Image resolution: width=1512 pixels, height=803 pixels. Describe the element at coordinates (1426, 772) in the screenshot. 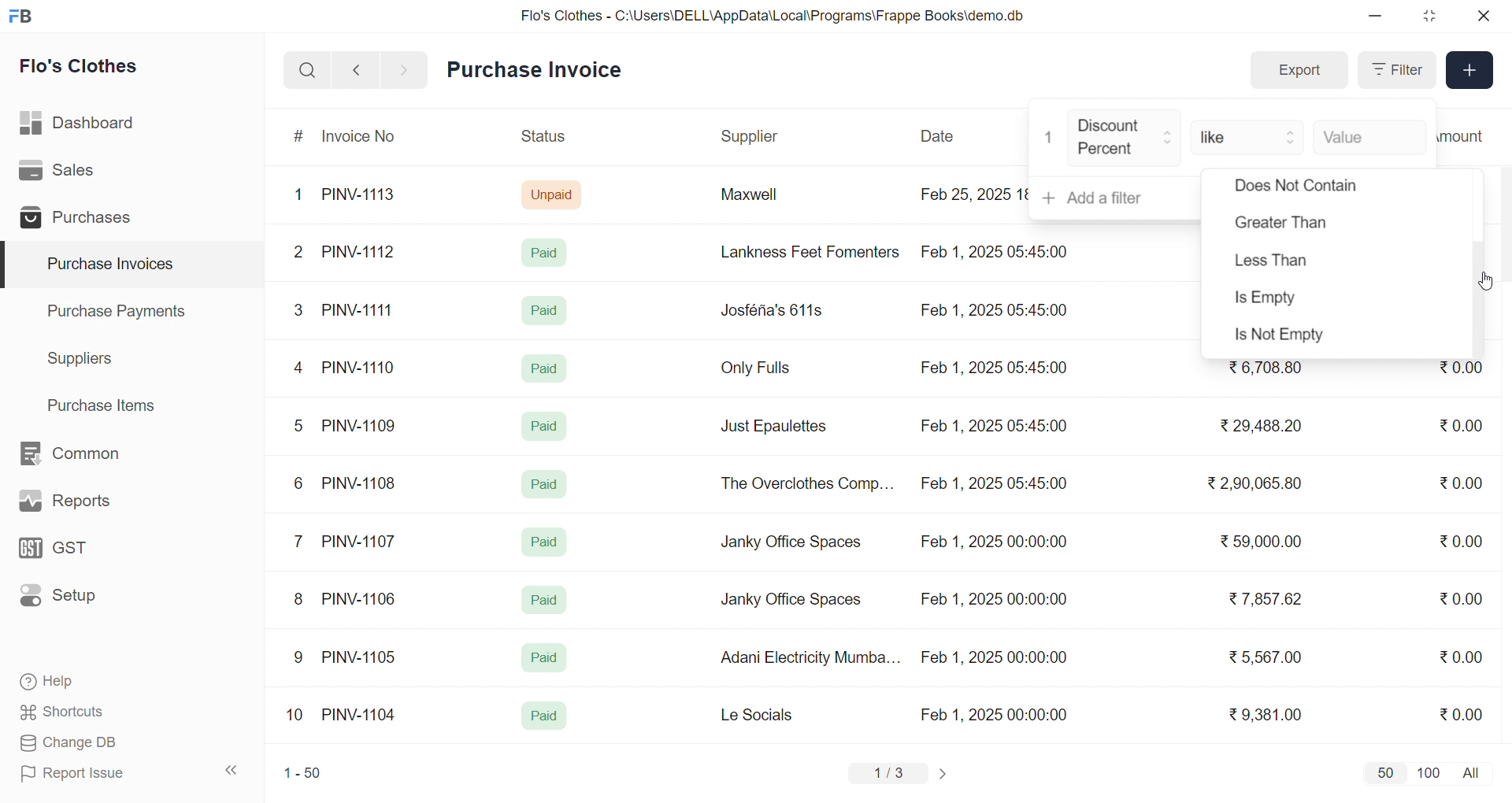

I see `100` at that location.